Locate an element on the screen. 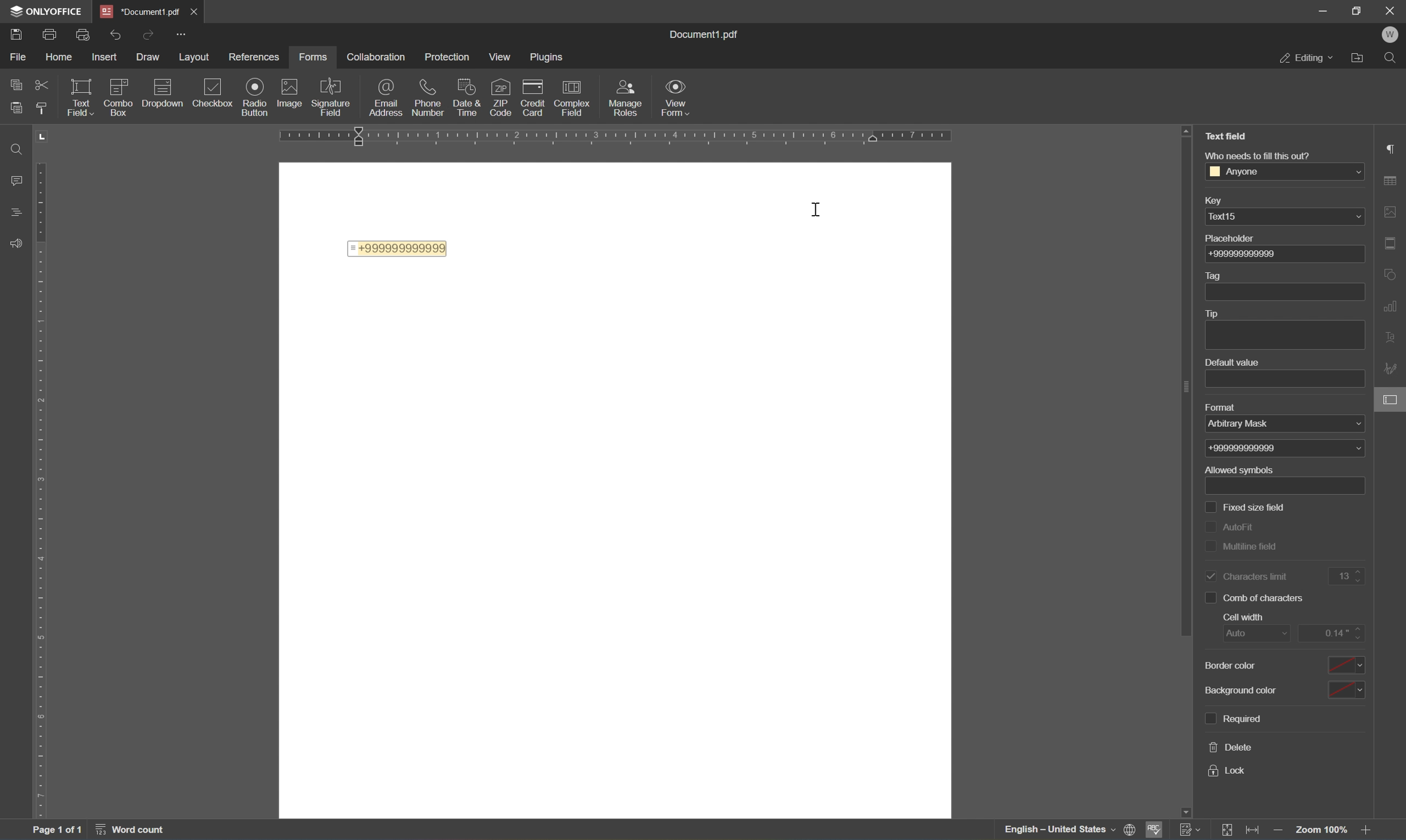  complex field is located at coordinates (576, 97).